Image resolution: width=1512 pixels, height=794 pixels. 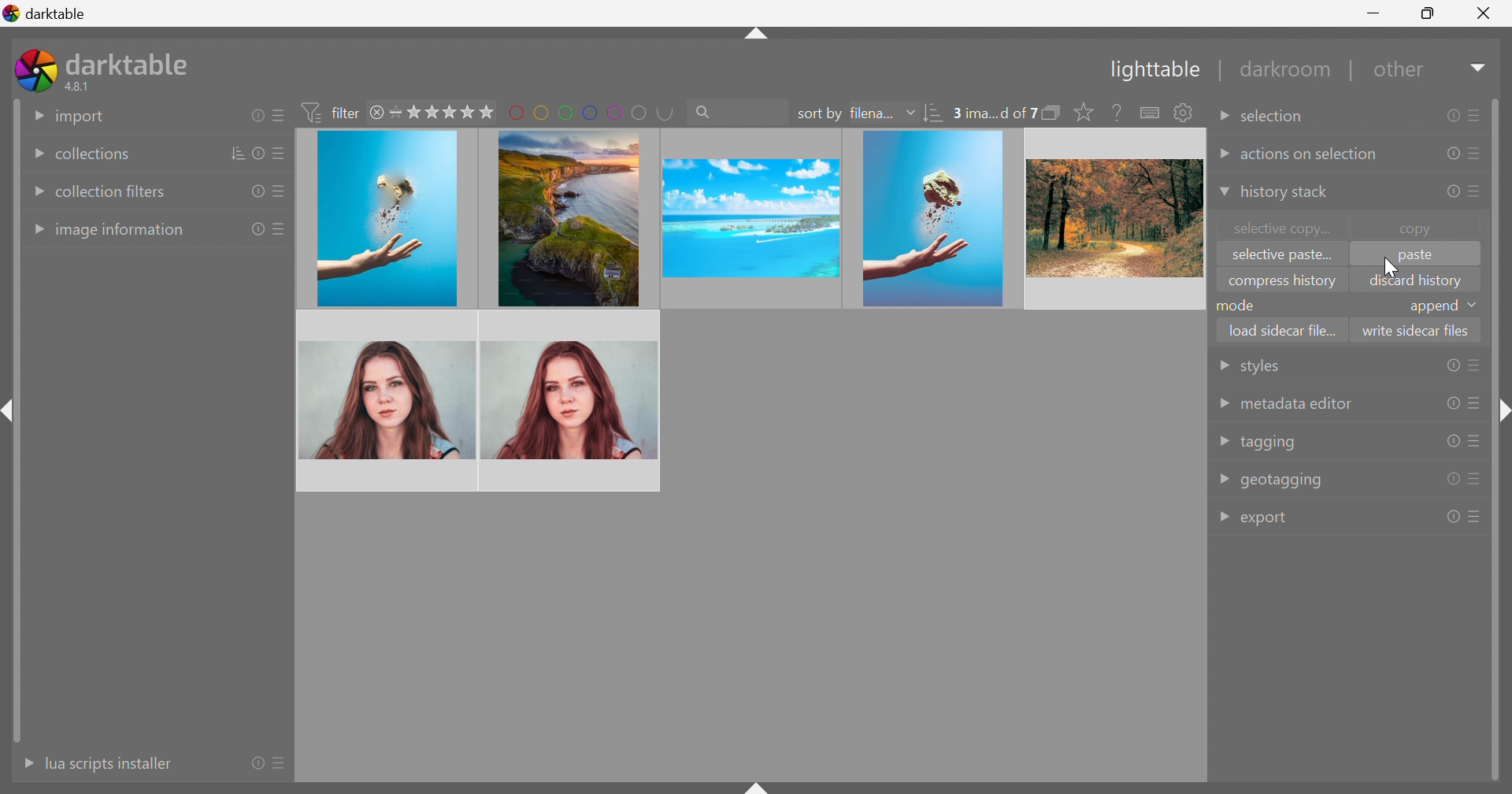 What do you see at coordinates (121, 232) in the screenshot?
I see `image information` at bounding box center [121, 232].